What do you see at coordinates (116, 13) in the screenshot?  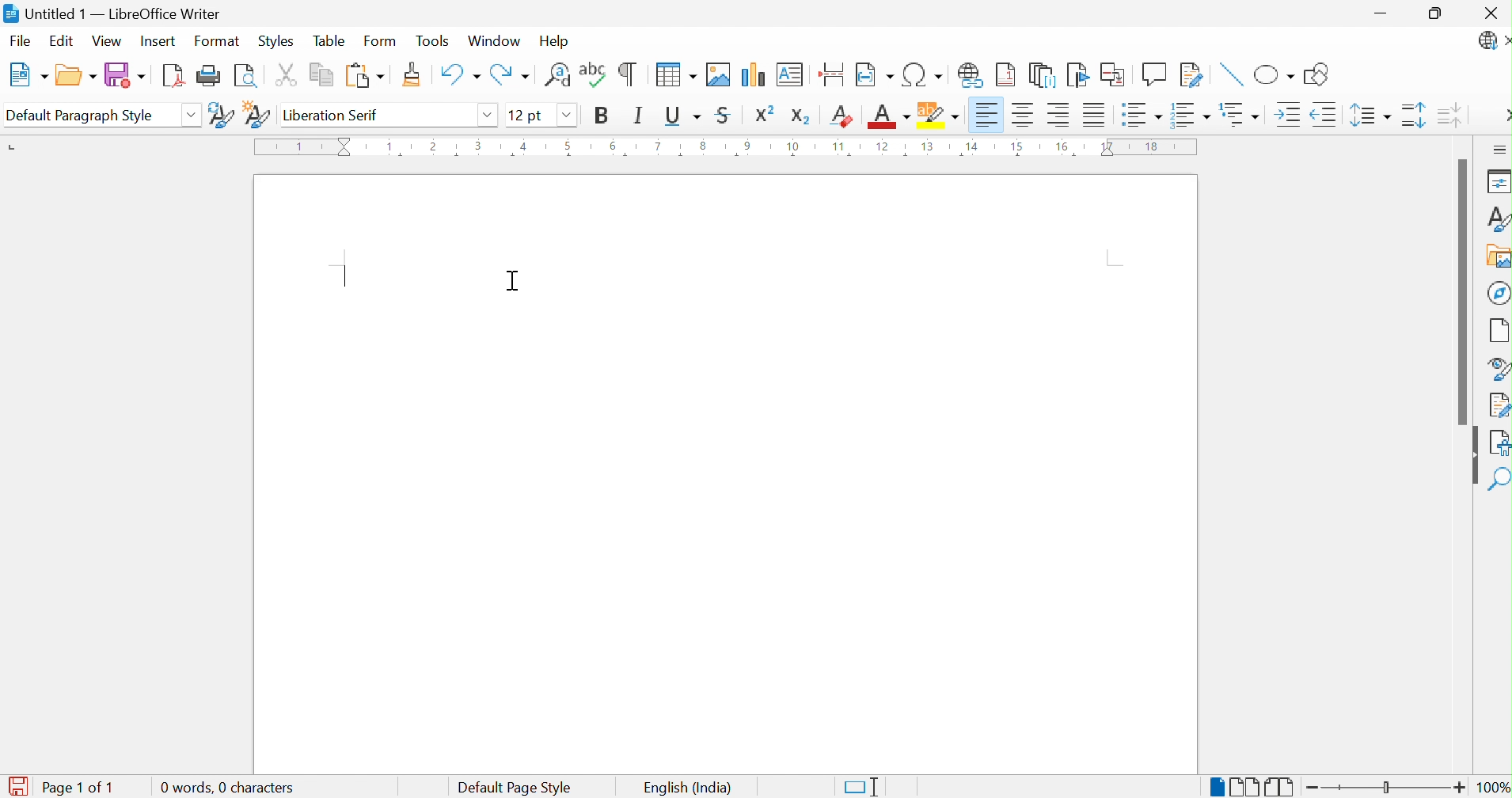 I see `Untitled 1 - LibreOffice Writer ` at bounding box center [116, 13].